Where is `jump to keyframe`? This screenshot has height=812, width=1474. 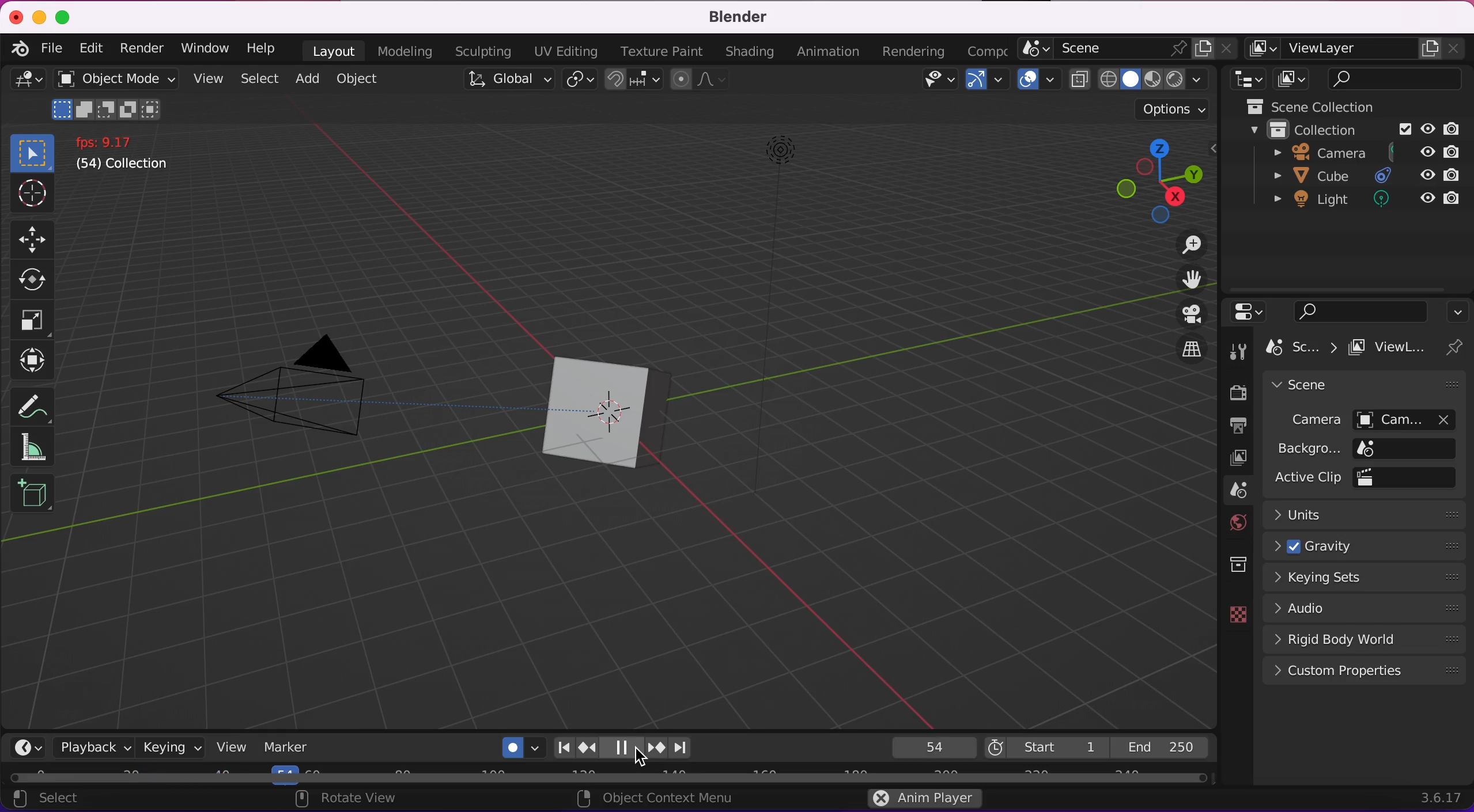 jump to keyframe is located at coordinates (588, 748).